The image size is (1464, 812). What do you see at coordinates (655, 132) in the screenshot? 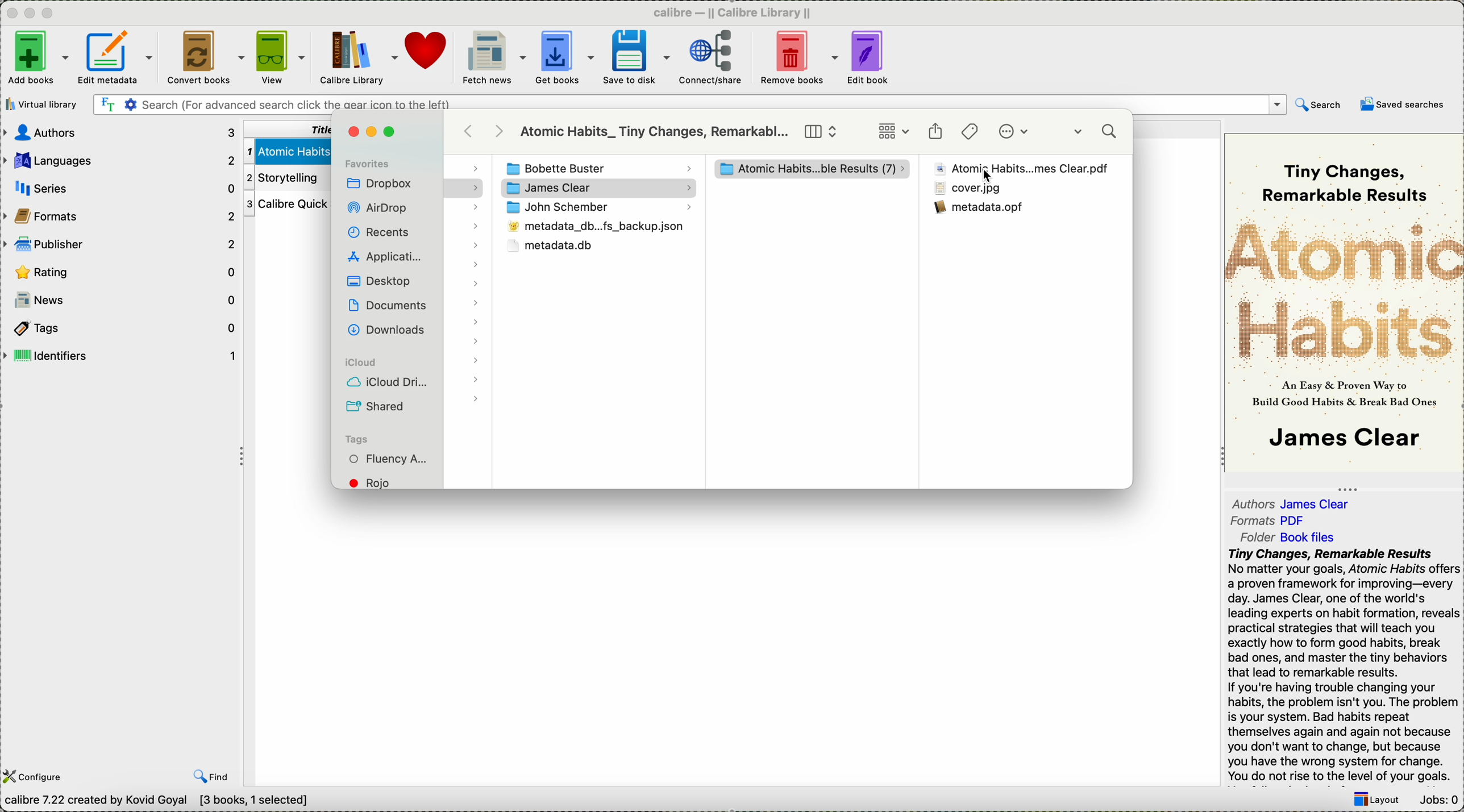
I see `book name` at bounding box center [655, 132].